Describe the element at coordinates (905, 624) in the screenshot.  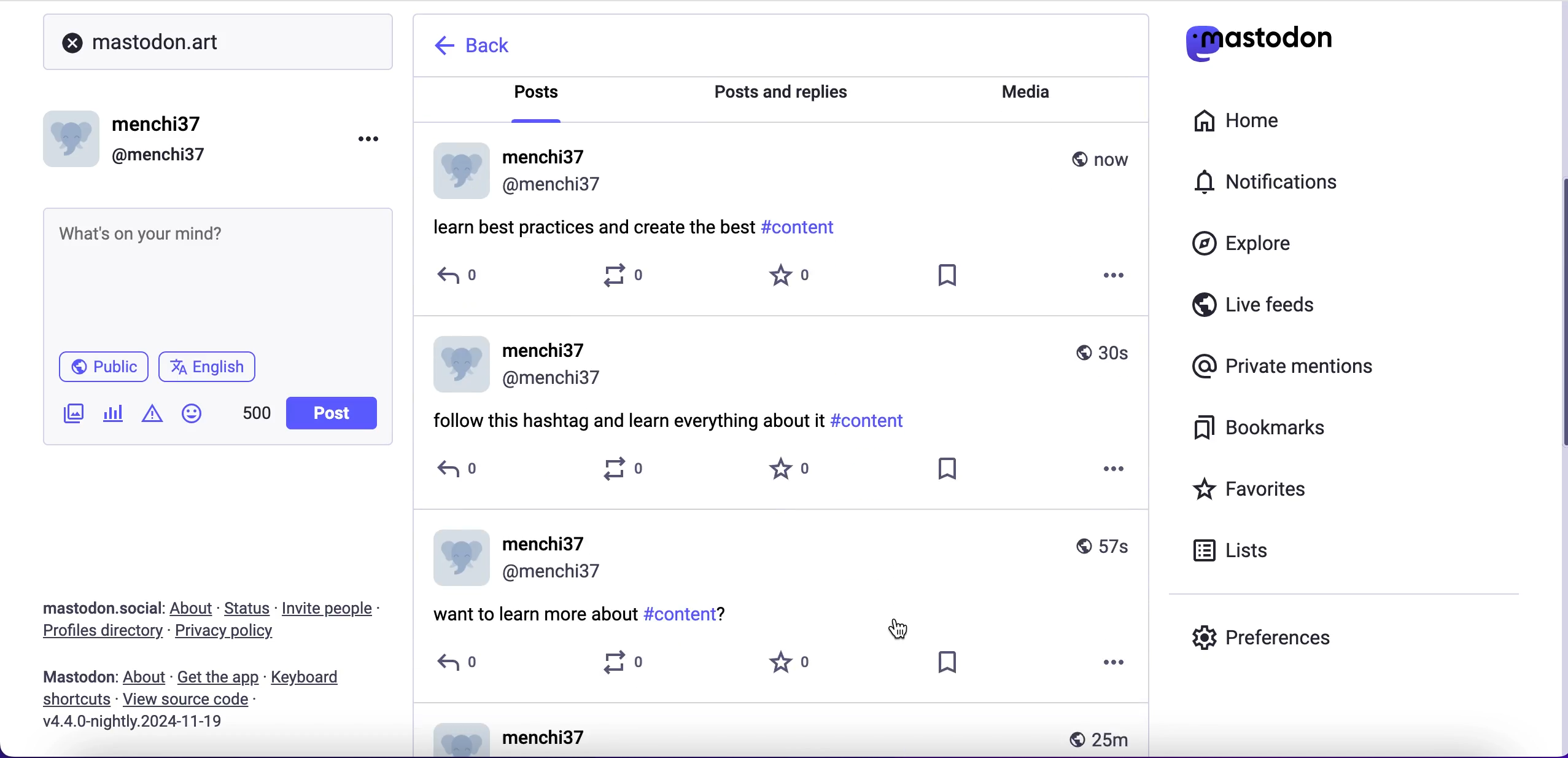
I see `cursor` at that location.